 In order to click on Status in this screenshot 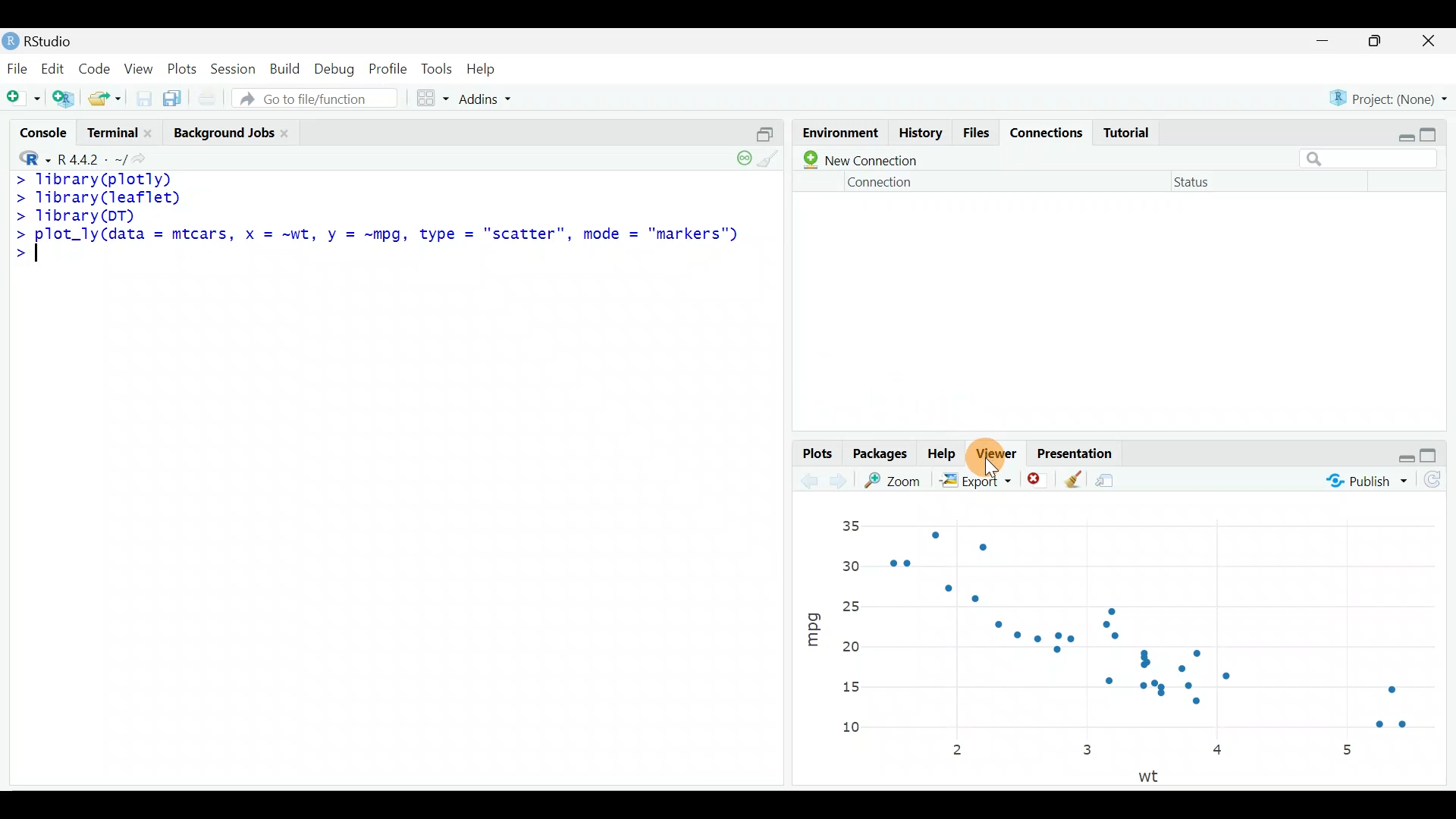, I will do `click(1200, 181)`.